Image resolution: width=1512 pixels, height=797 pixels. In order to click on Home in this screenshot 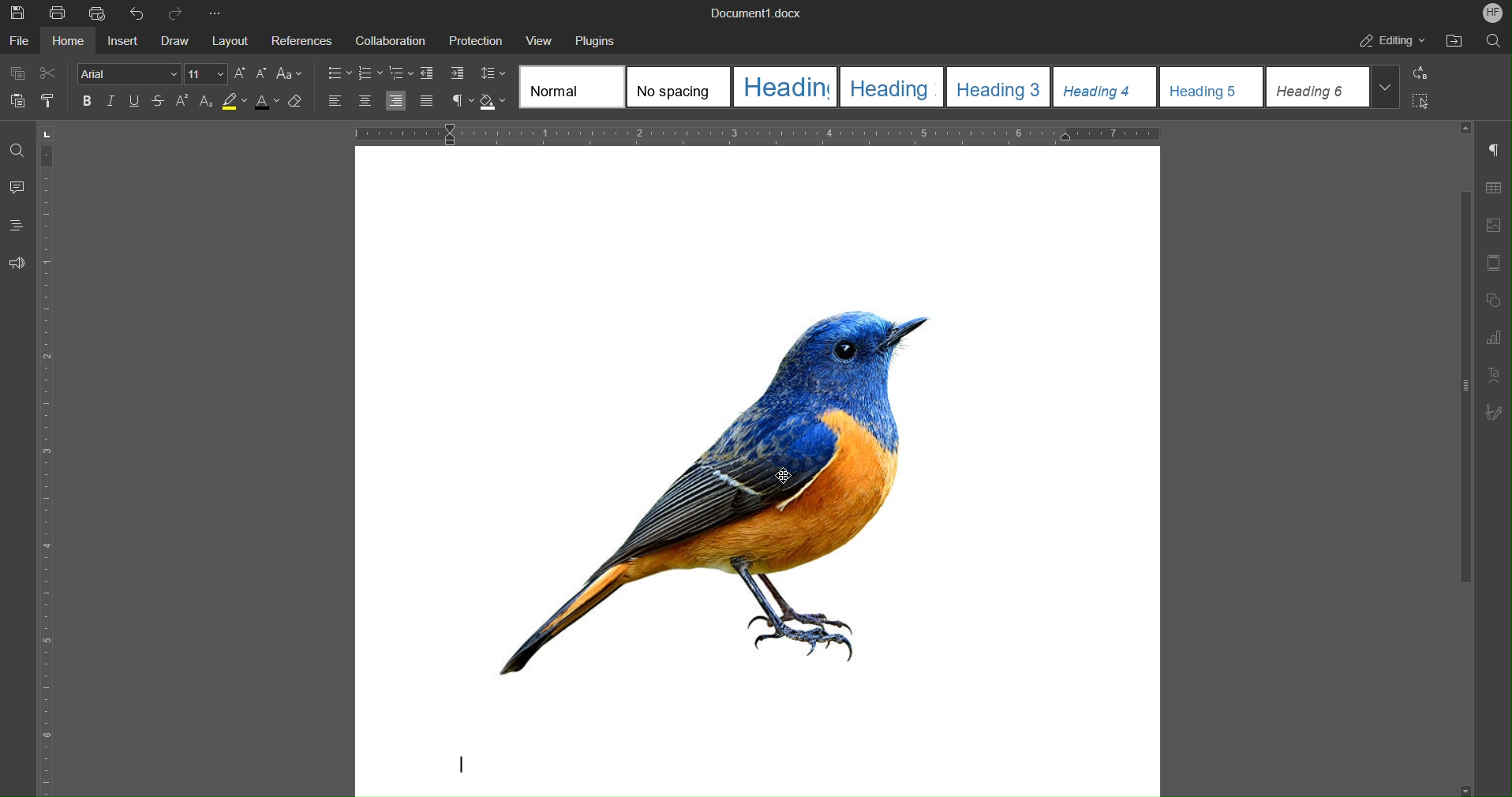, I will do `click(67, 39)`.